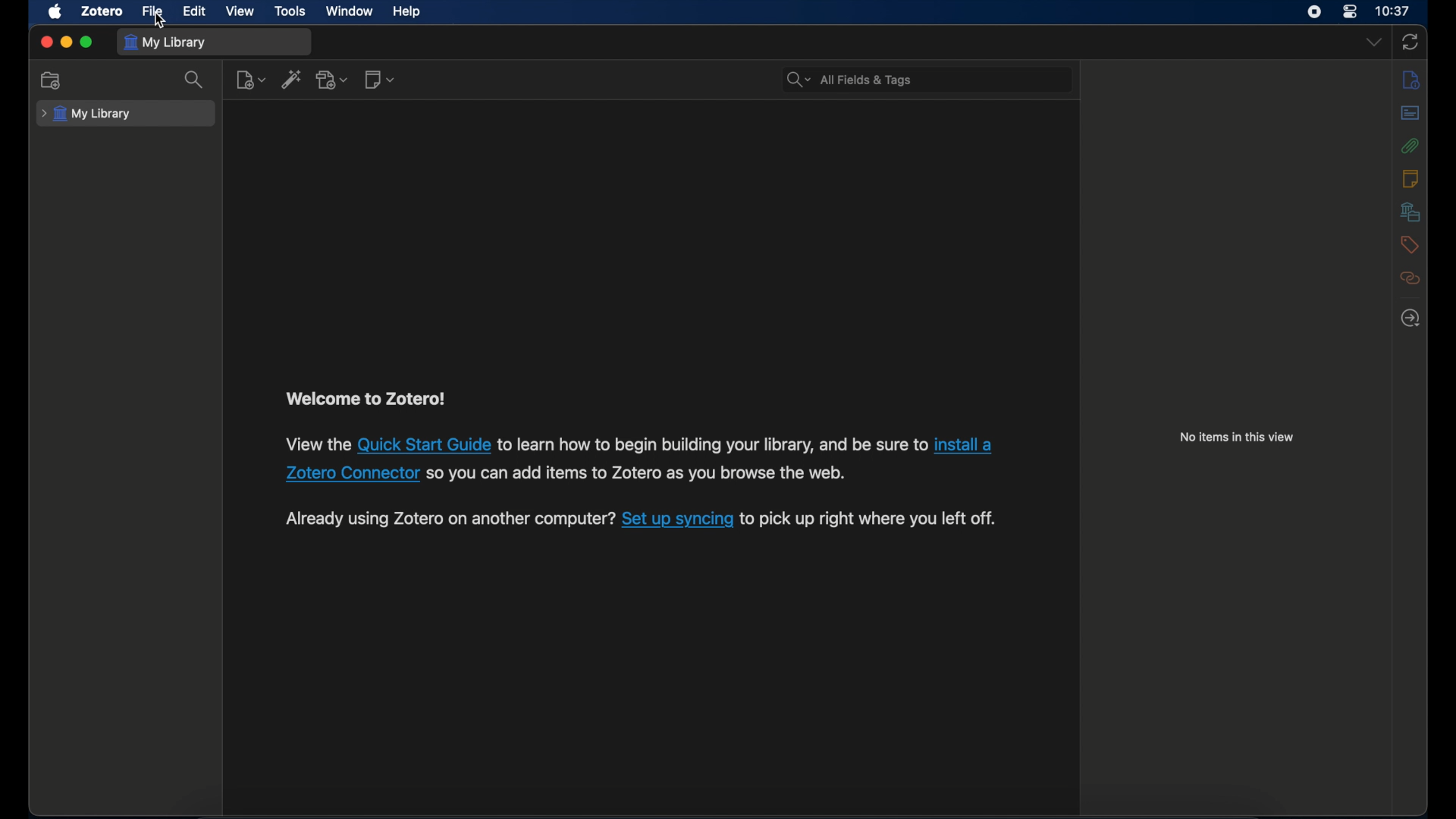 This screenshot has height=819, width=1456. Describe the element at coordinates (1410, 278) in the screenshot. I see `related` at that location.